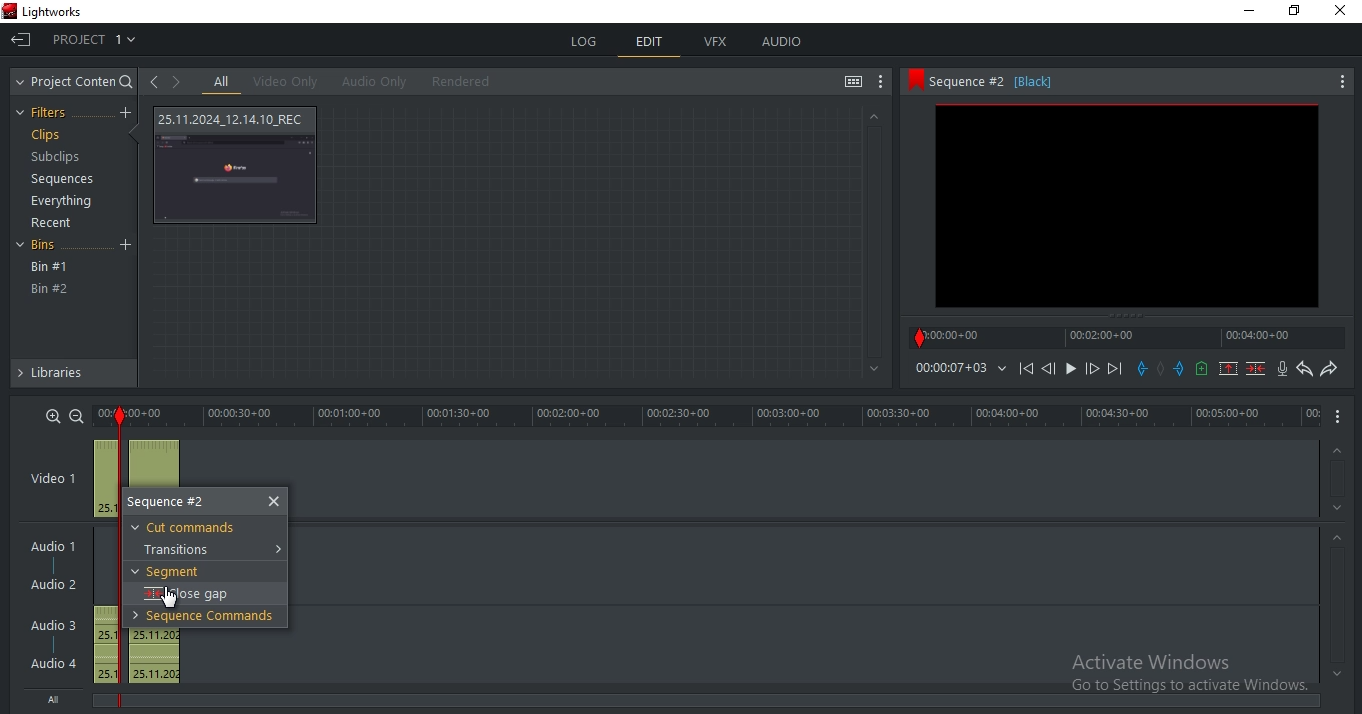 This screenshot has width=1362, height=714. What do you see at coordinates (285, 82) in the screenshot?
I see `video only` at bounding box center [285, 82].